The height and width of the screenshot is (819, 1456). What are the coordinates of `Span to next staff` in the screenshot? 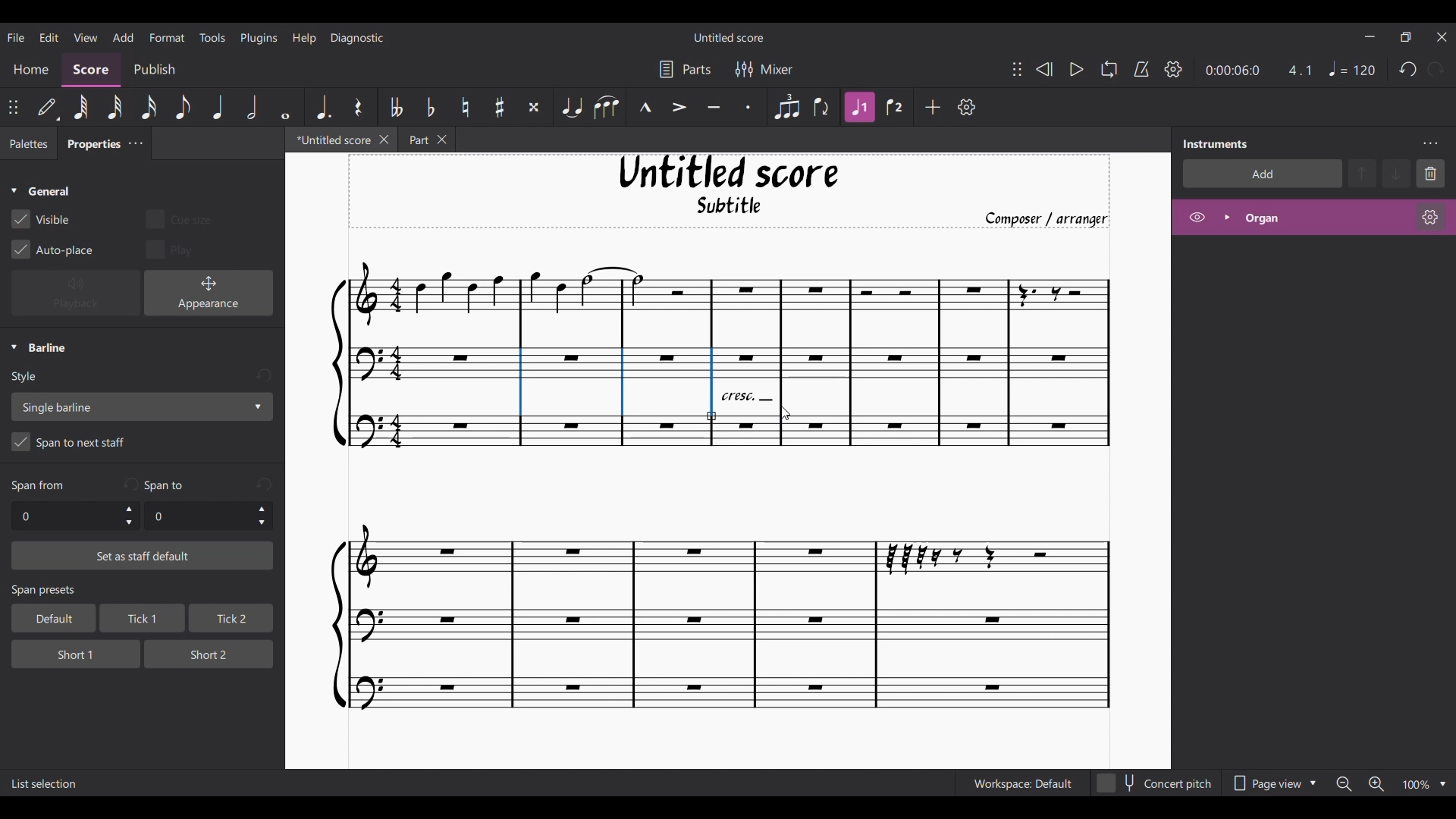 It's located at (142, 444).